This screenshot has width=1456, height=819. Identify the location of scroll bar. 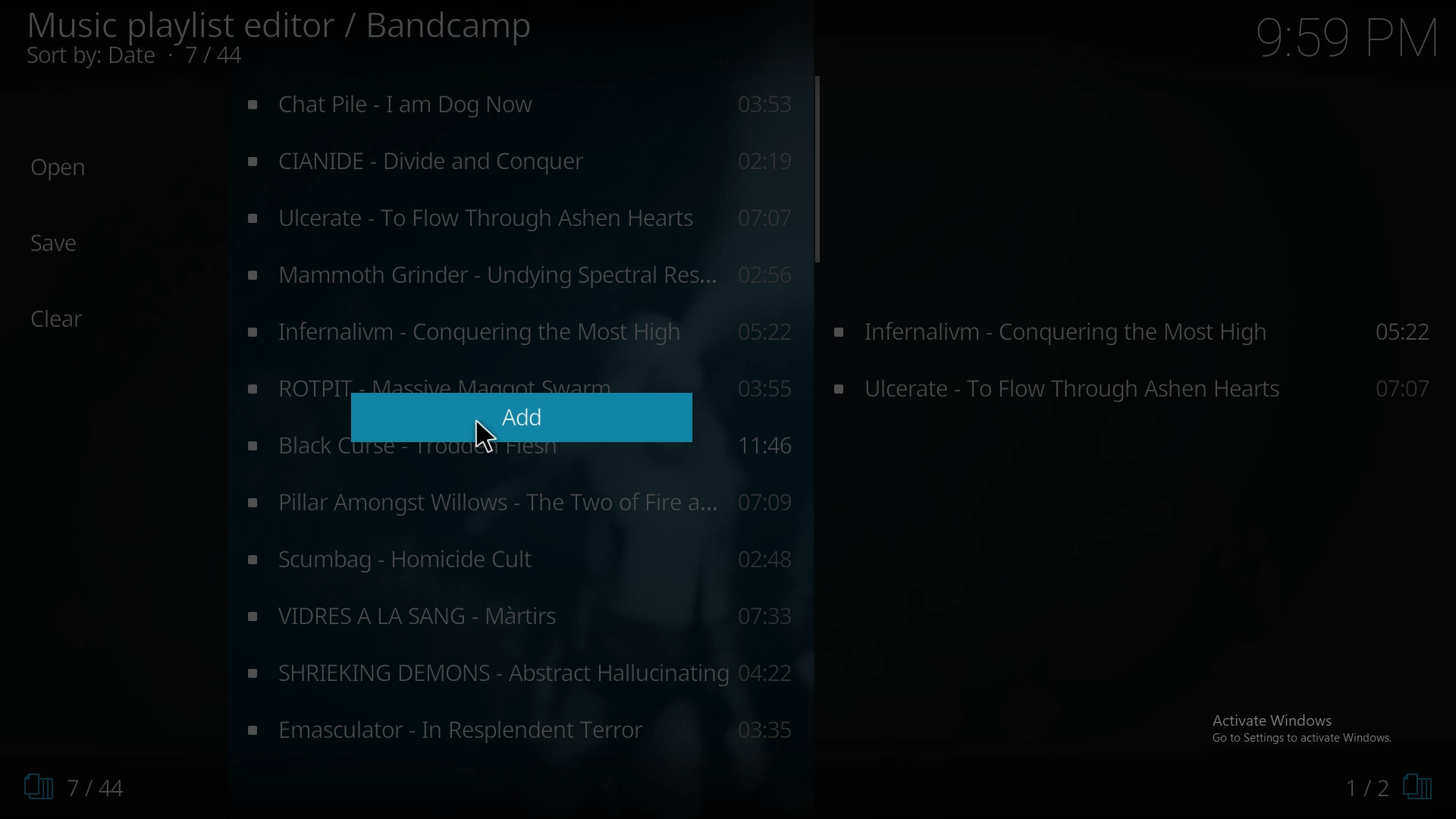
(823, 175).